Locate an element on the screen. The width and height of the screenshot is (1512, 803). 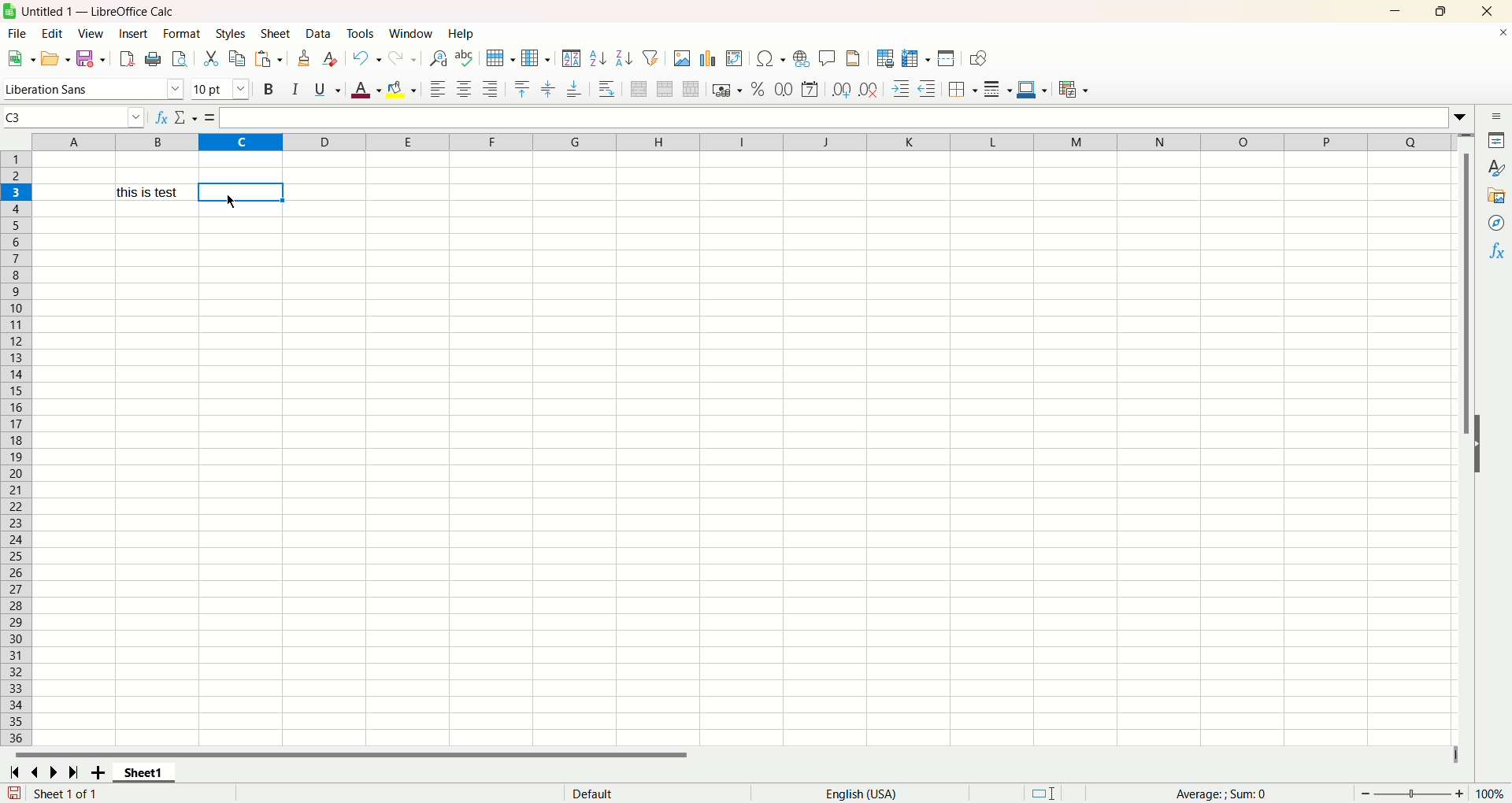
format as date is located at coordinates (811, 90).